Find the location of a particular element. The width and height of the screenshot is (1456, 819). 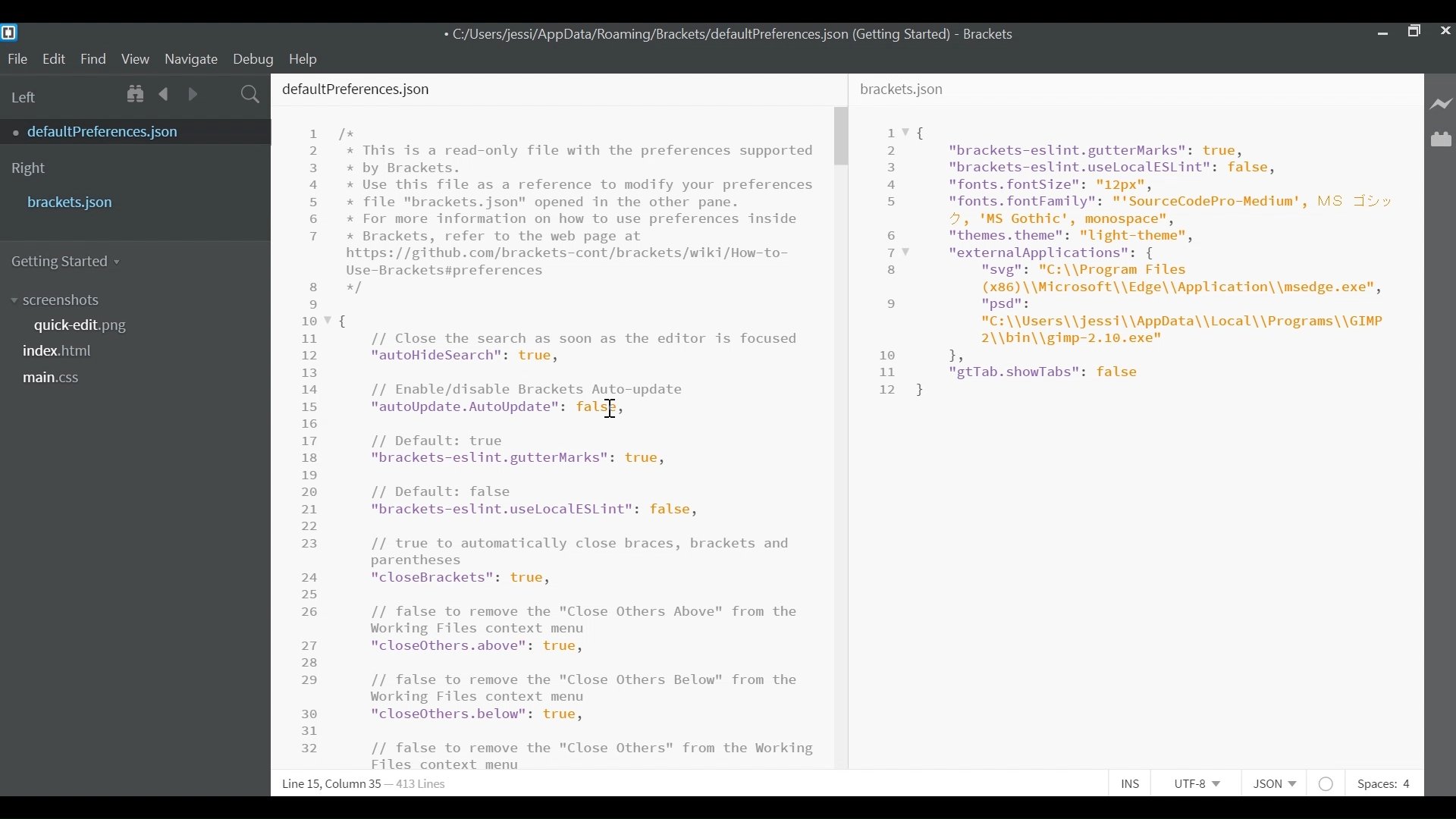

Split the Editor Vertically or Horizontally is located at coordinates (221, 93).